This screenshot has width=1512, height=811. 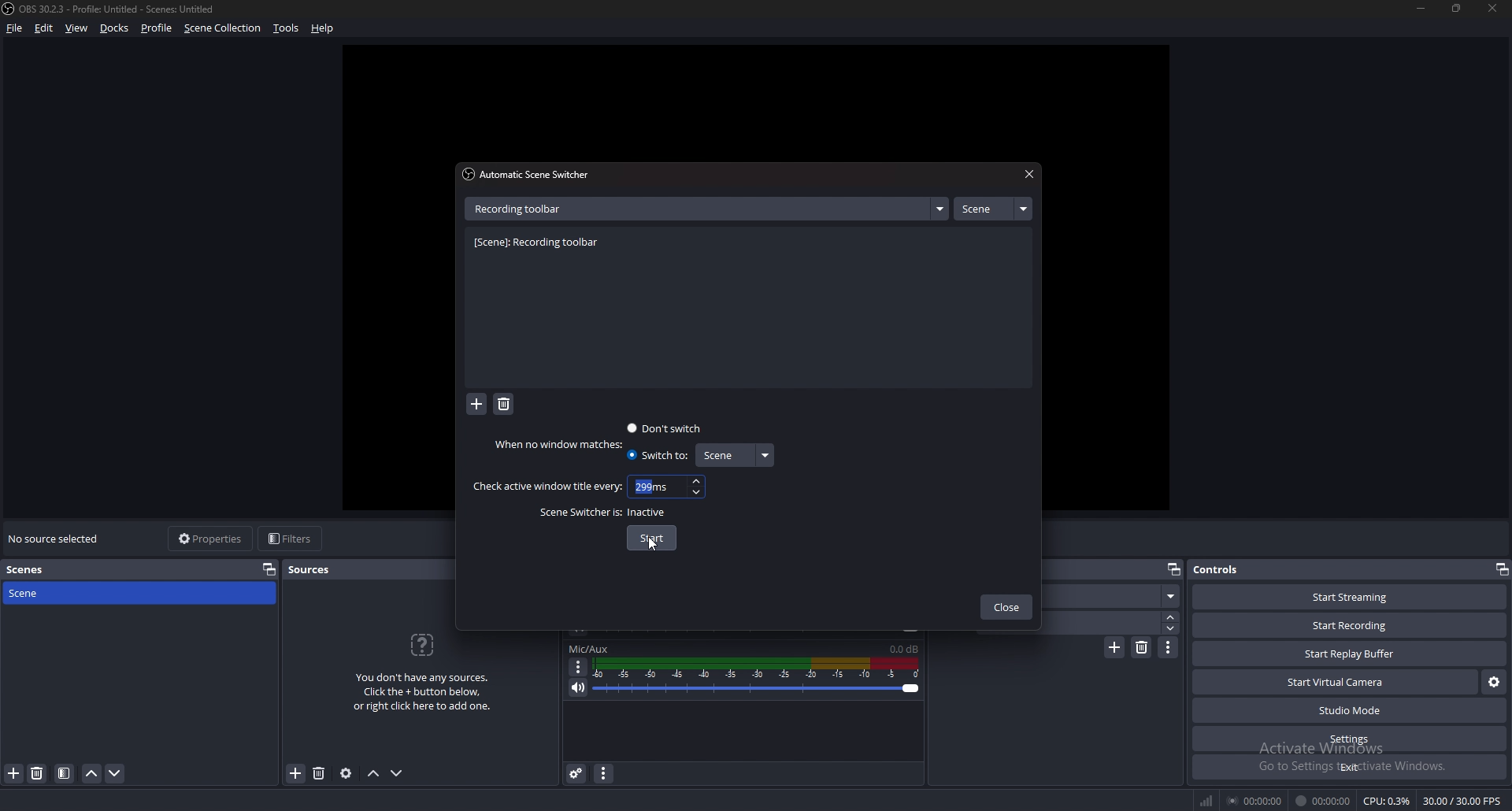 What do you see at coordinates (1256, 800) in the screenshot?
I see `stream duration` at bounding box center [1256, 800].